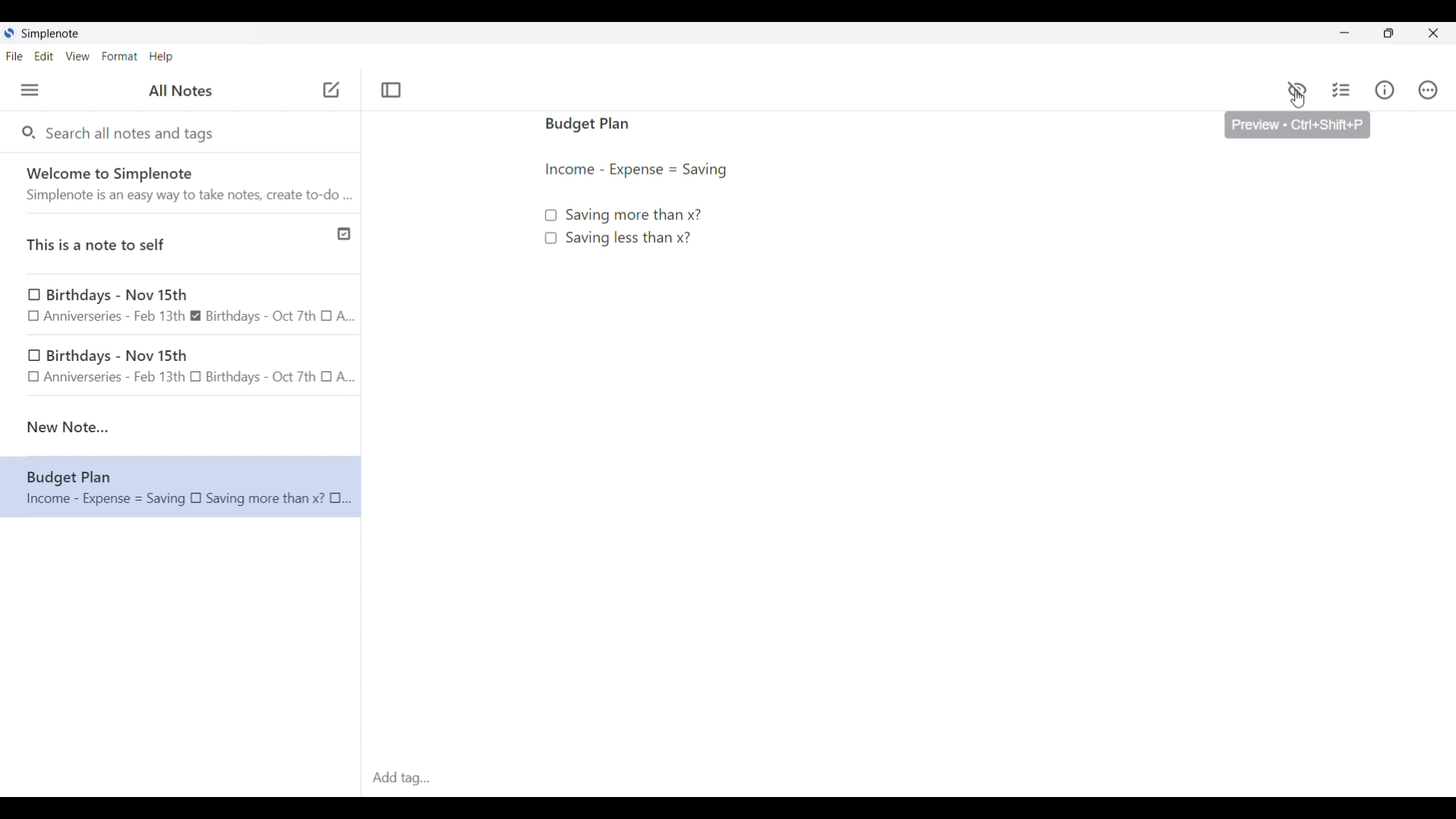 The width and height of the screenshot is (1456, 819). Describe the element at coordinates (45, 55) in the screenshot. I see `Edit menu` at that location.